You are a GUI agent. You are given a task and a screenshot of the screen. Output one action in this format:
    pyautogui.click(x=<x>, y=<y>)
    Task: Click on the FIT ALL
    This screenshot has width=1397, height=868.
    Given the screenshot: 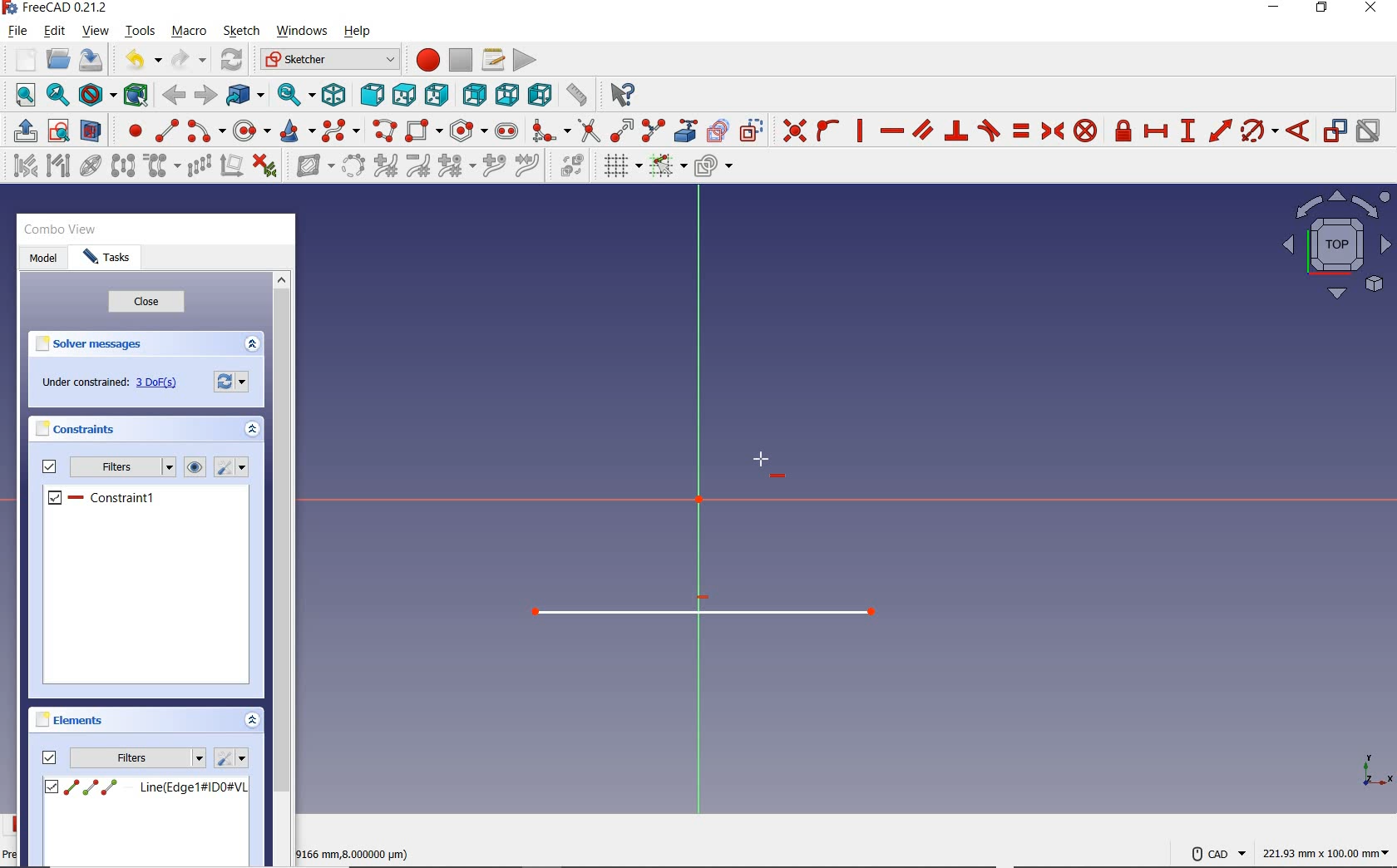 What is the action you would take?
    pyautogui.click(x=21, y=96)
    